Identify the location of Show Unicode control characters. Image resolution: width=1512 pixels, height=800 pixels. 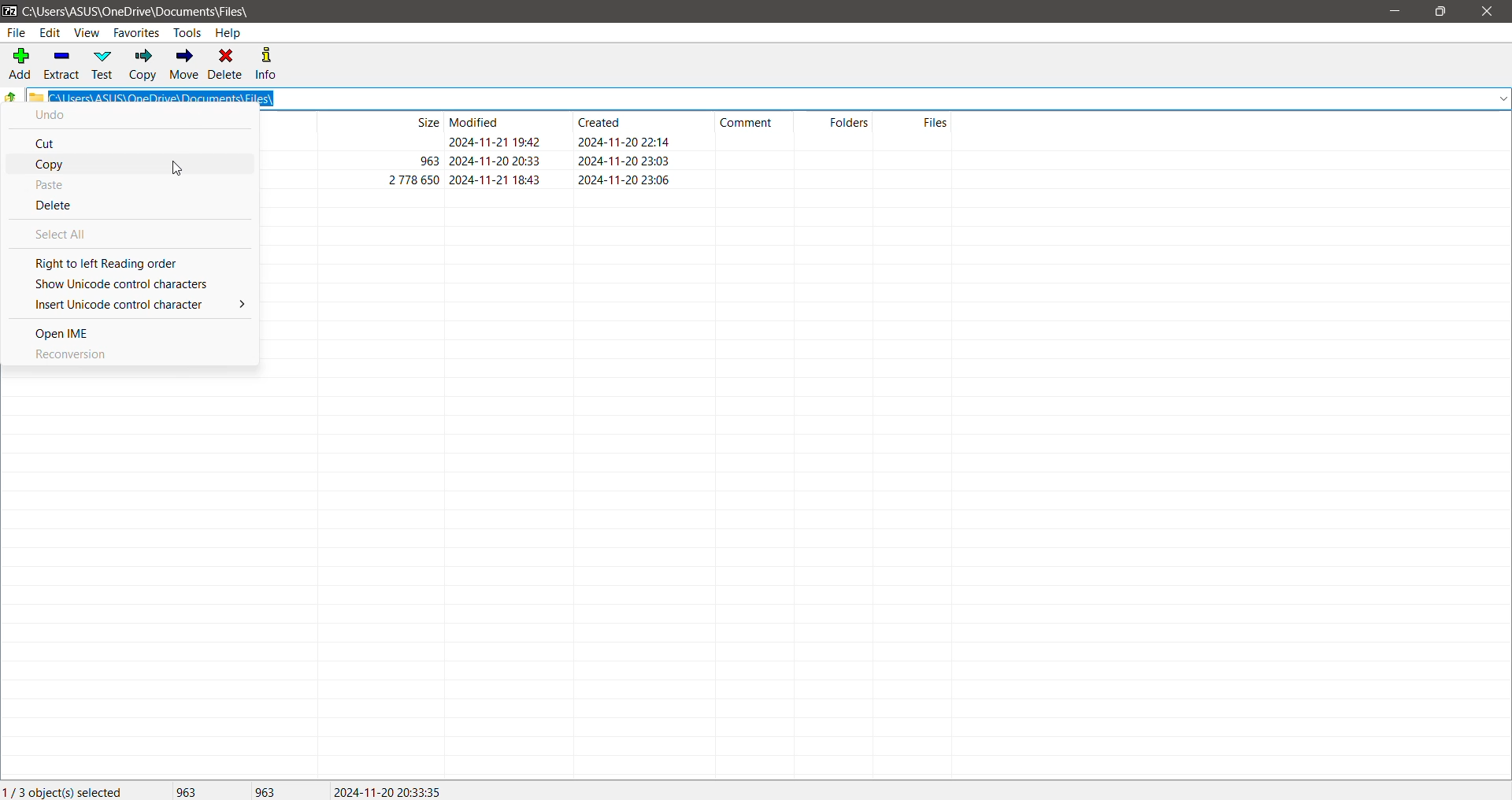
(128, 284).